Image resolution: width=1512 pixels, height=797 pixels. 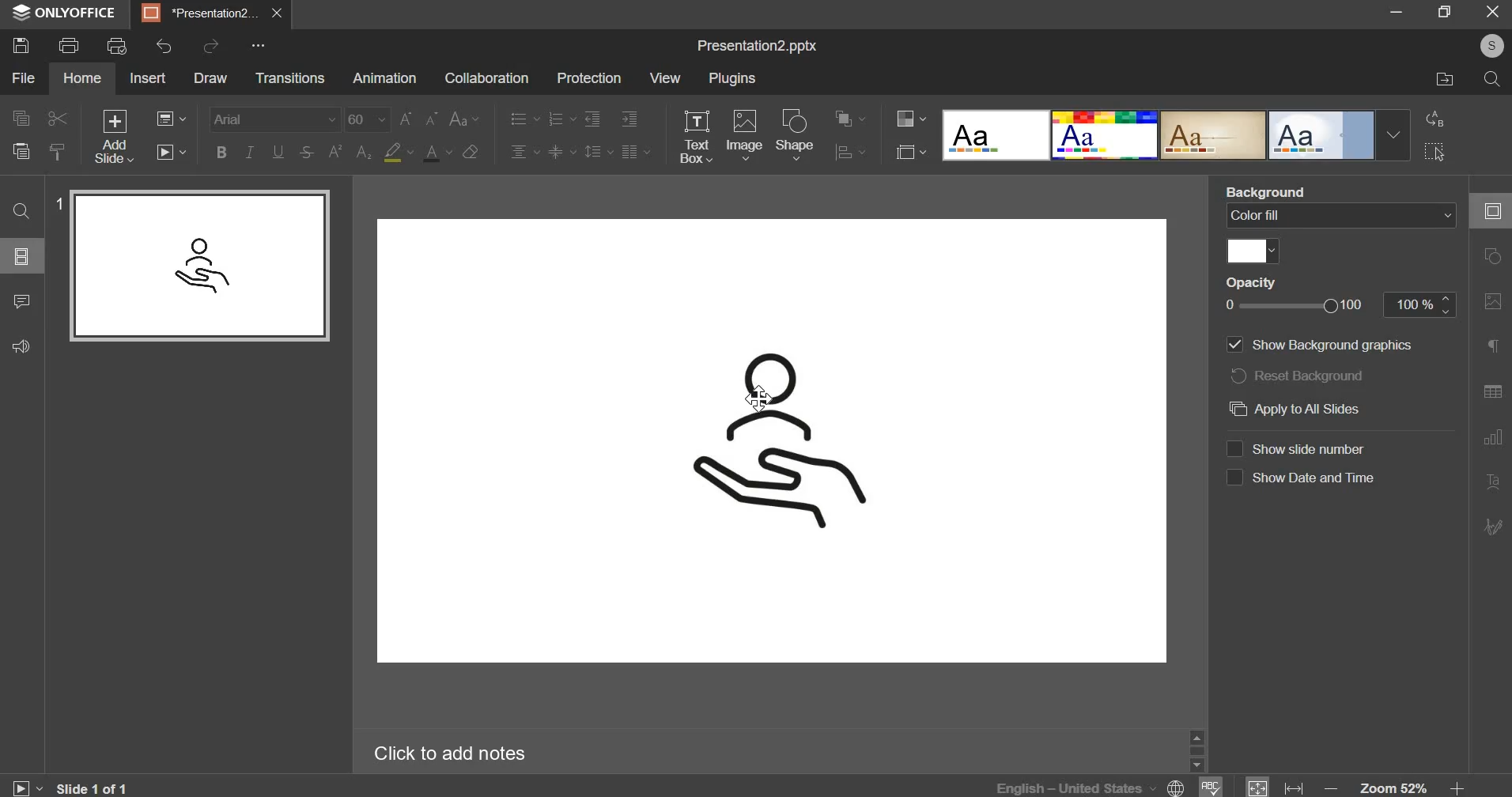 What do you see at coordinates (391, 119) in the screenshot?
I see `font size chane` at bounding box center [391, 119].